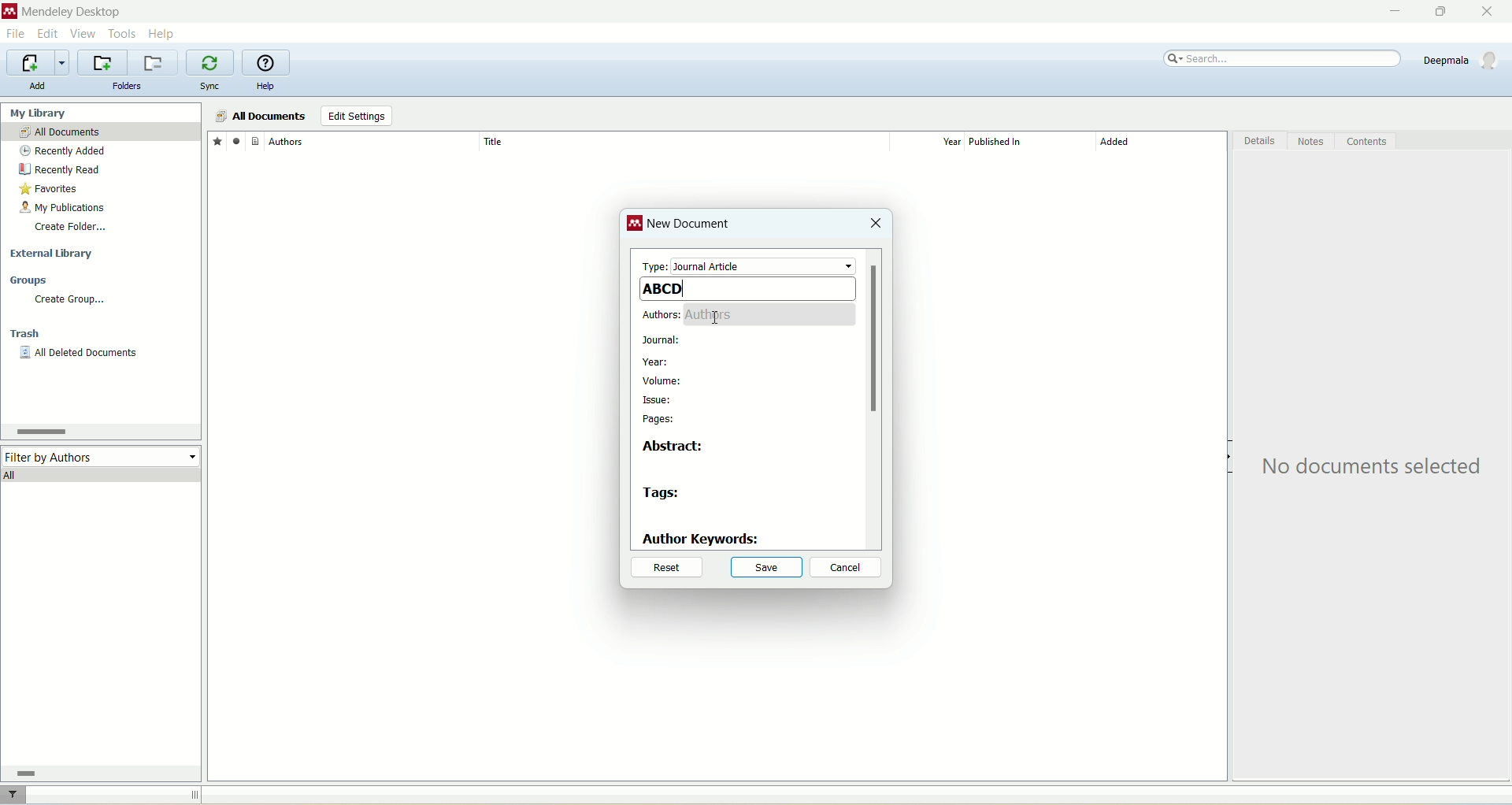 The image size is (1512, 805). What do you see at coordinates (84, 34) in the screenshot?
I see `view` at bounding box center [84, 34].